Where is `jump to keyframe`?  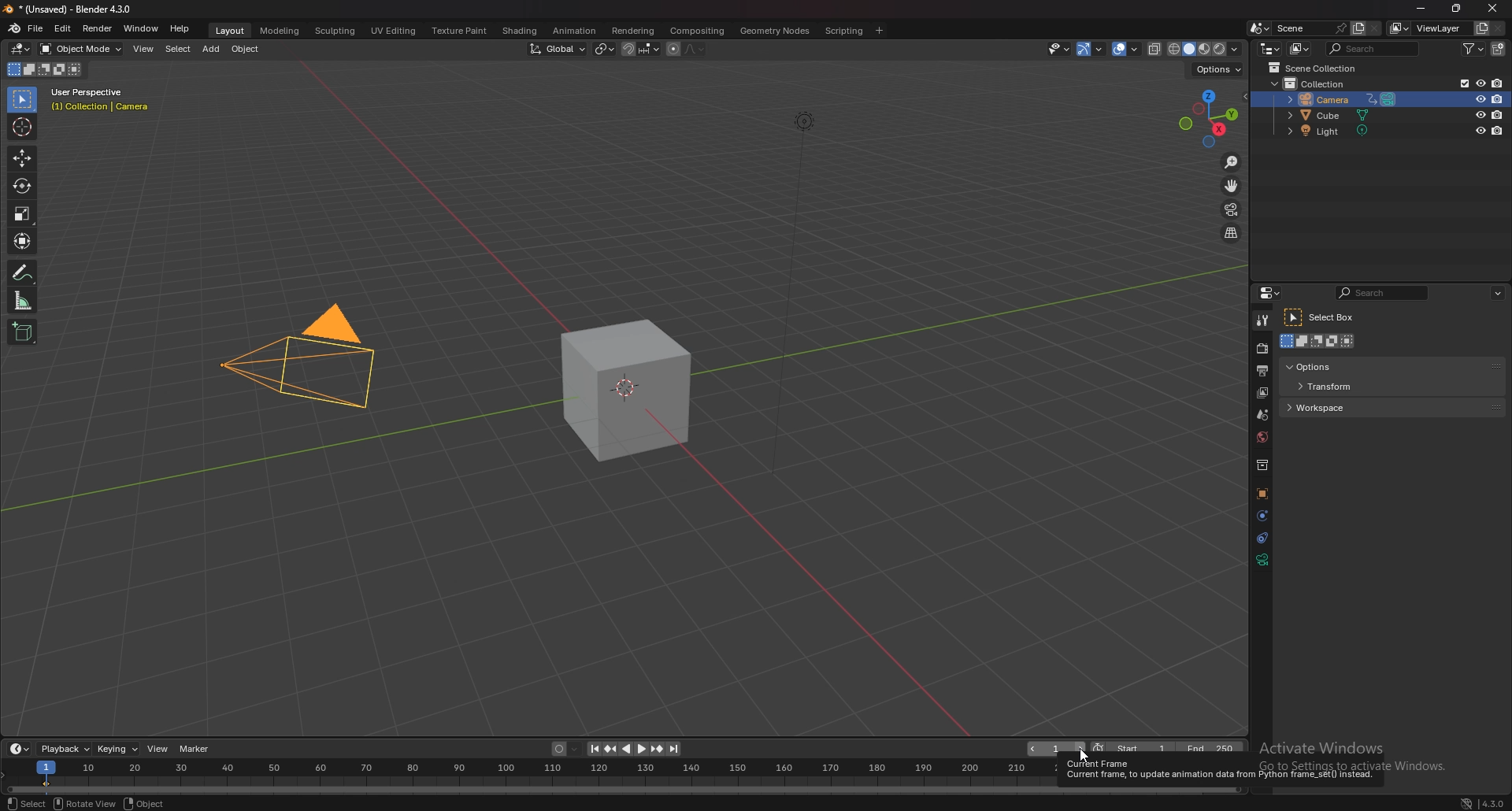
jump to keyframe is located at coordinates (657, 749).